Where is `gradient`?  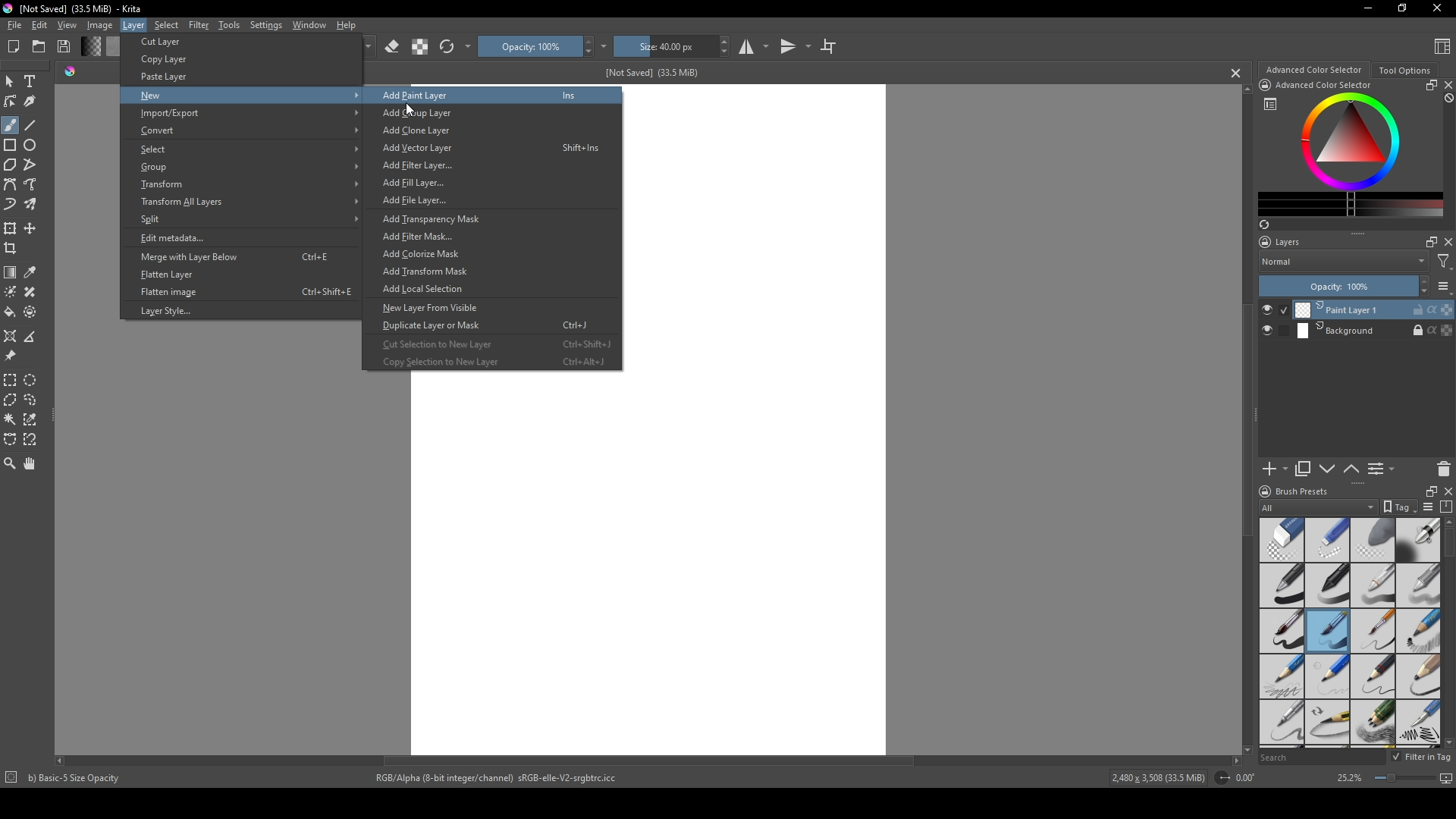
gradient is located at coordinates (11, 272).